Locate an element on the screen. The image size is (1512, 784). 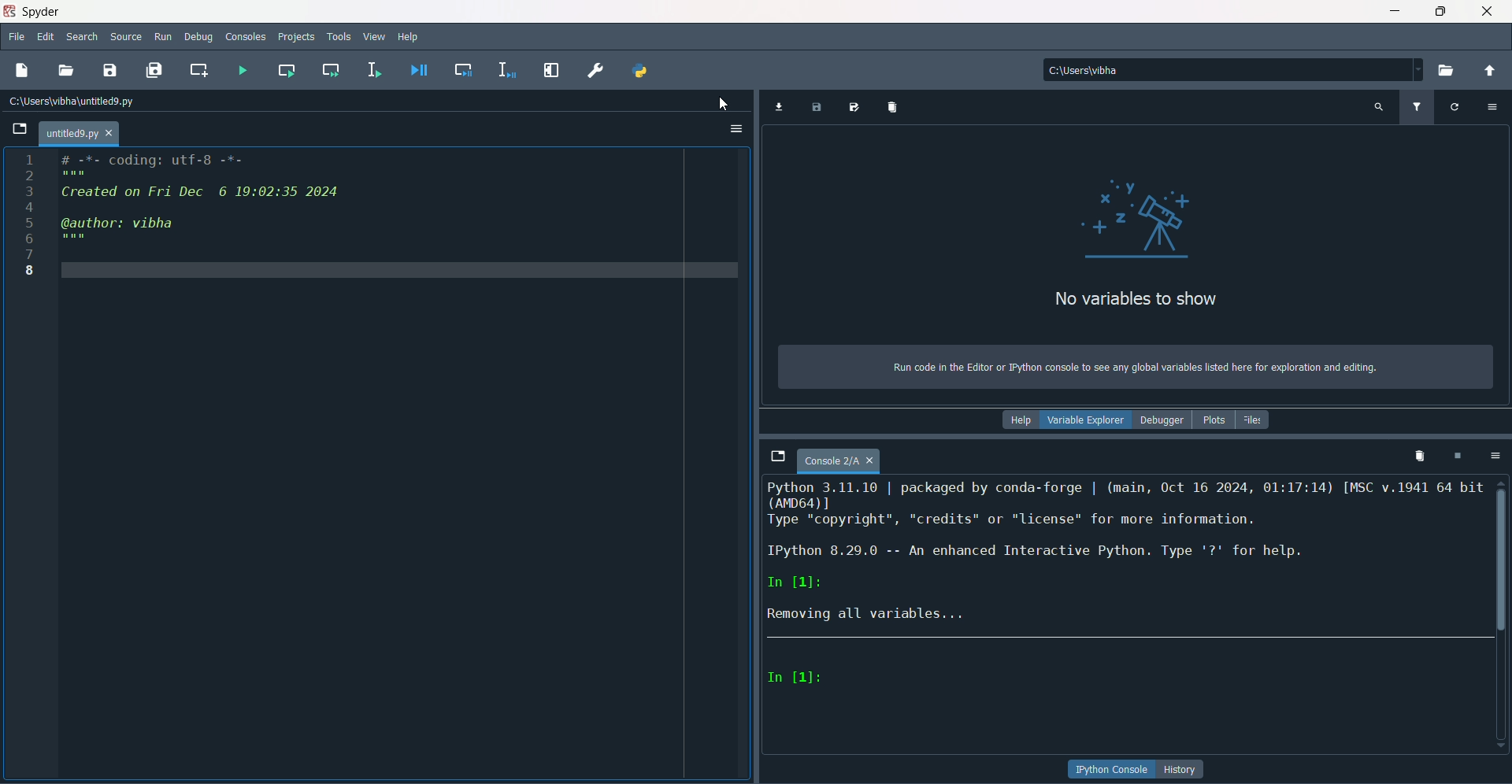
debug file is located at coordinates (414, 70).